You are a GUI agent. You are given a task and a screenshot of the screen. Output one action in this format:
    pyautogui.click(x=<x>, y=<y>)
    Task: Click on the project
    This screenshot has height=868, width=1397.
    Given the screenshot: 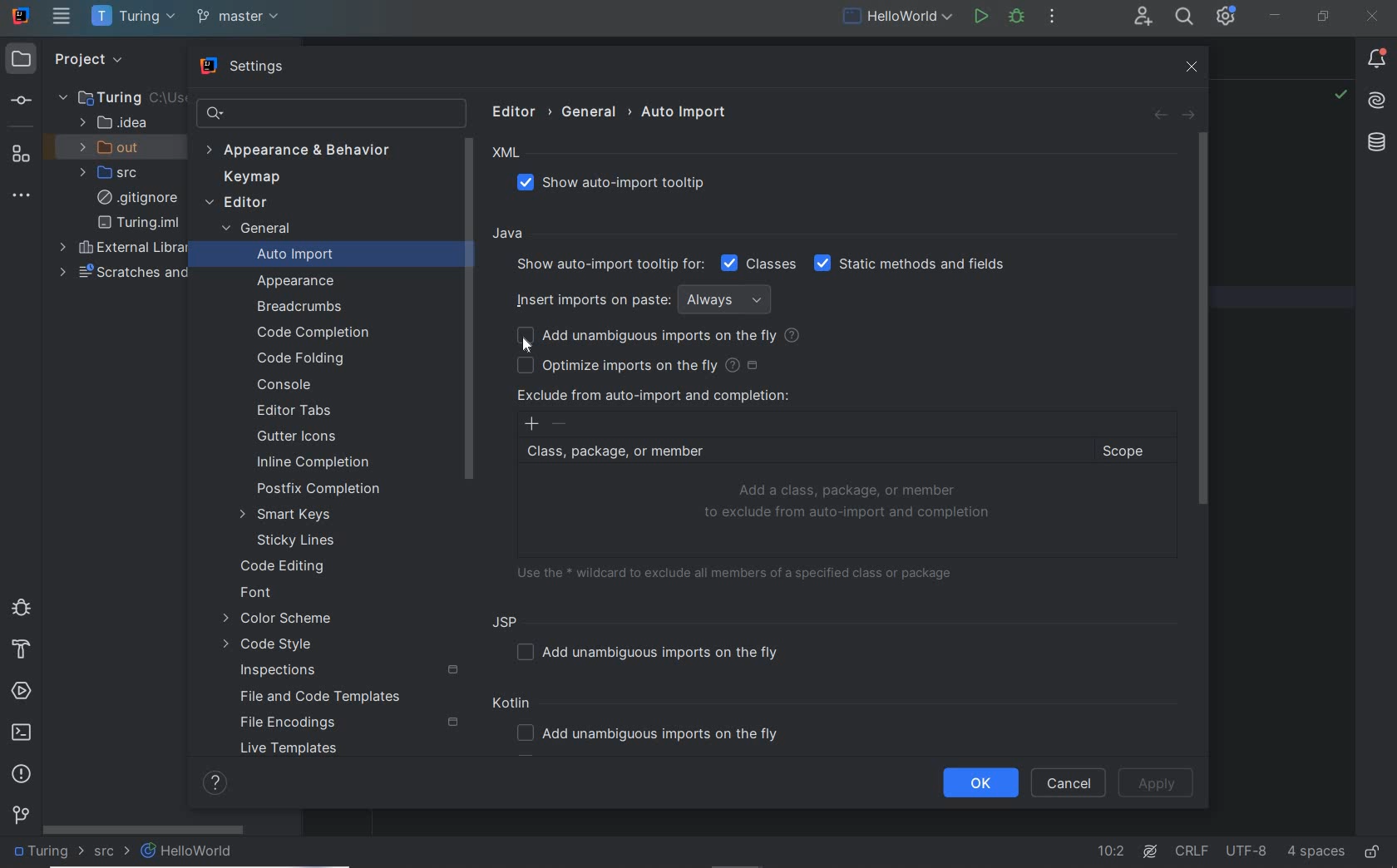 What is the action you would take?
    pyautogui.click(x=85, y=58)
    